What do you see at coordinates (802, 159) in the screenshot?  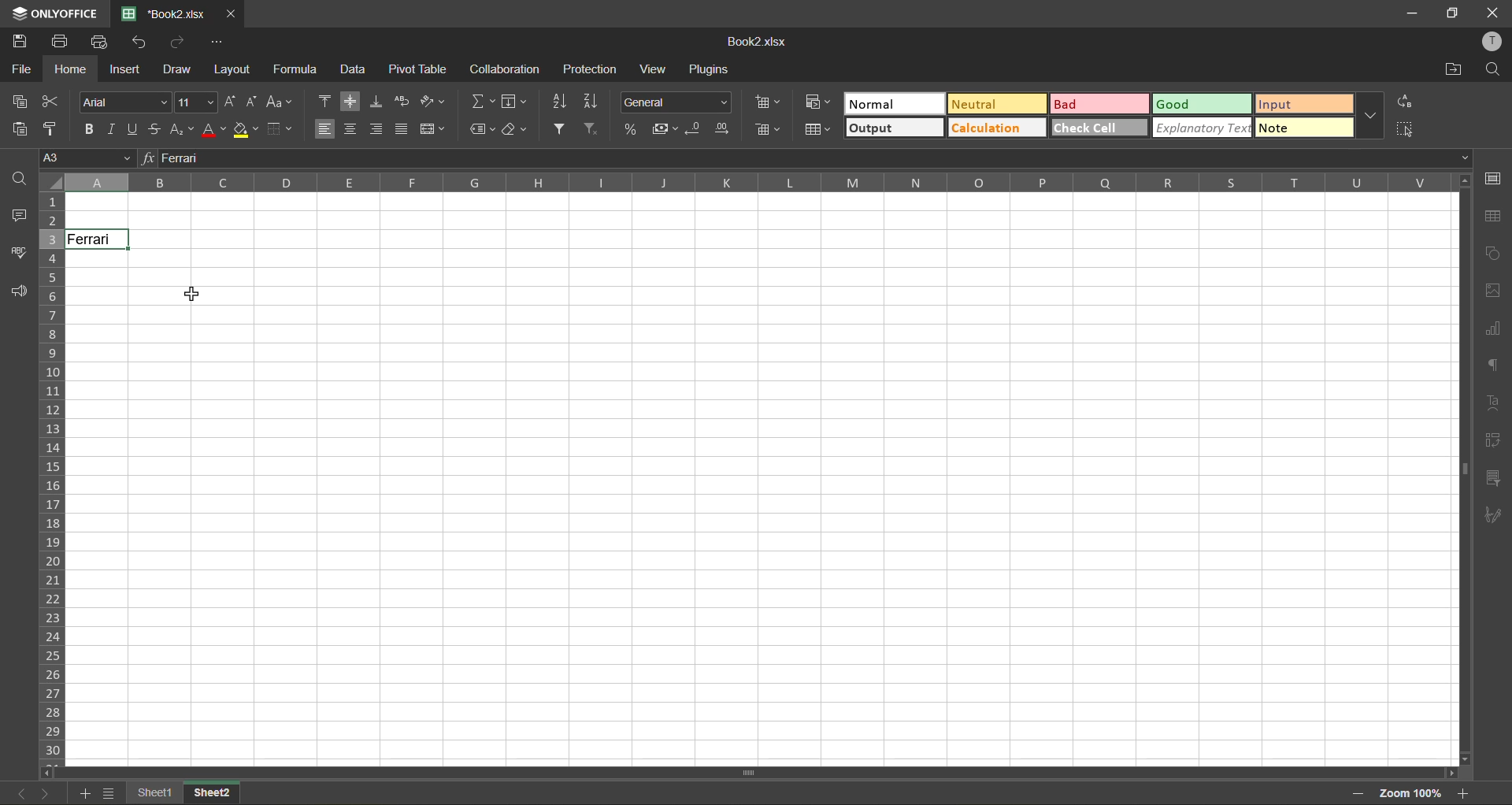 I see `formula bar` at bounding box center [802, 159].